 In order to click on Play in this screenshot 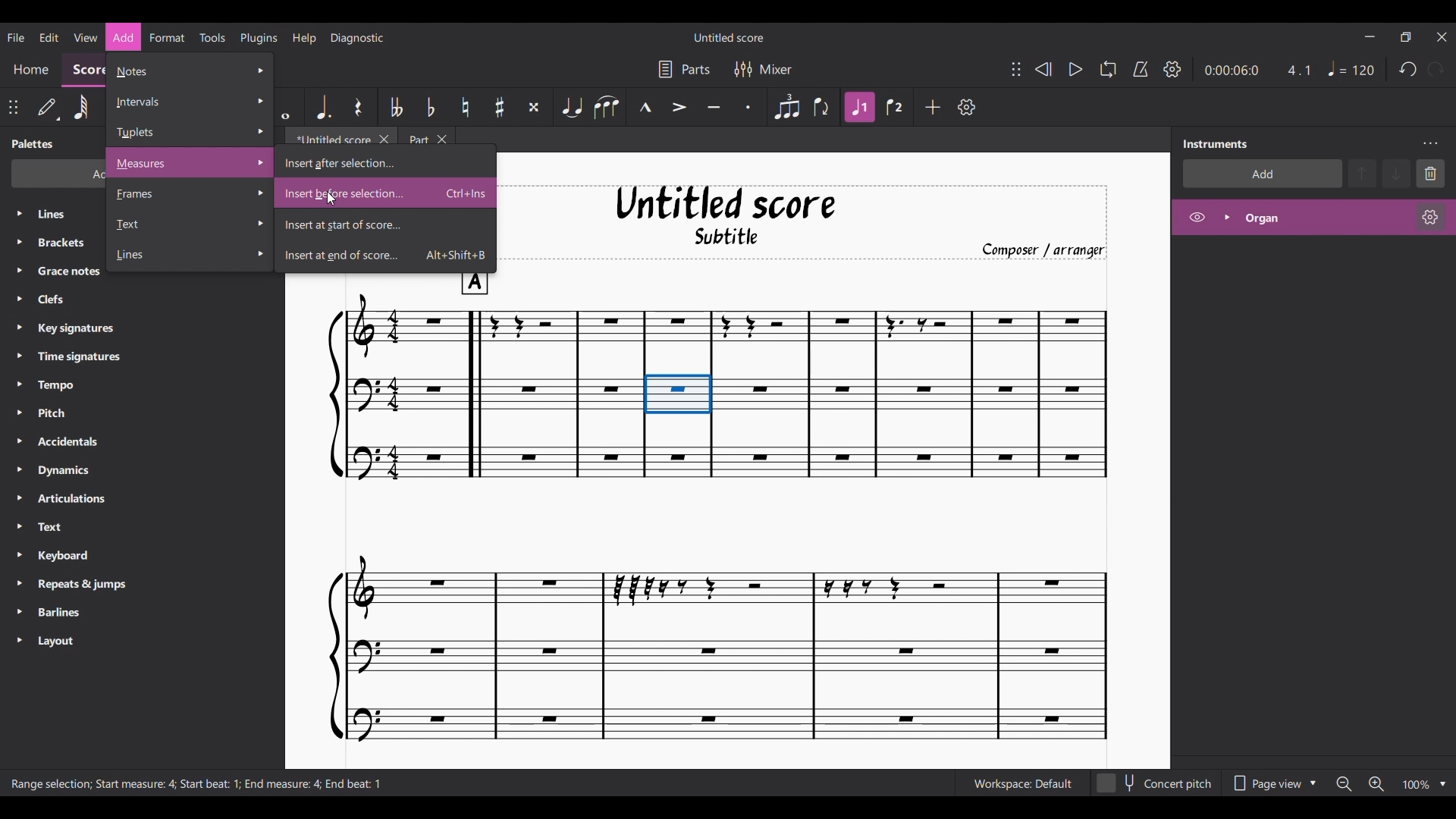, I will do `click(1075, 70)`.